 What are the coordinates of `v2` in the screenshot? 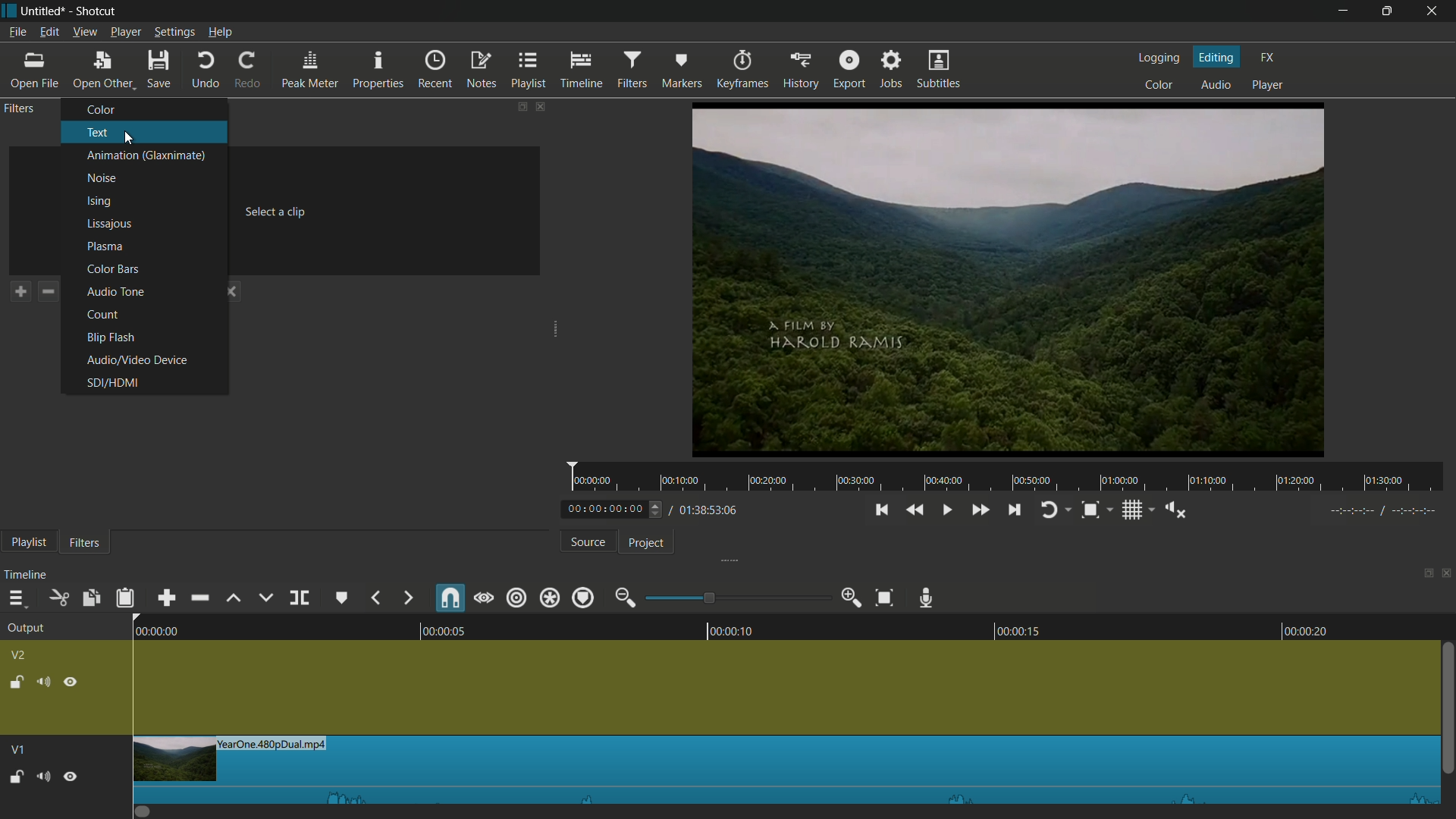 It's located at (20, 654).